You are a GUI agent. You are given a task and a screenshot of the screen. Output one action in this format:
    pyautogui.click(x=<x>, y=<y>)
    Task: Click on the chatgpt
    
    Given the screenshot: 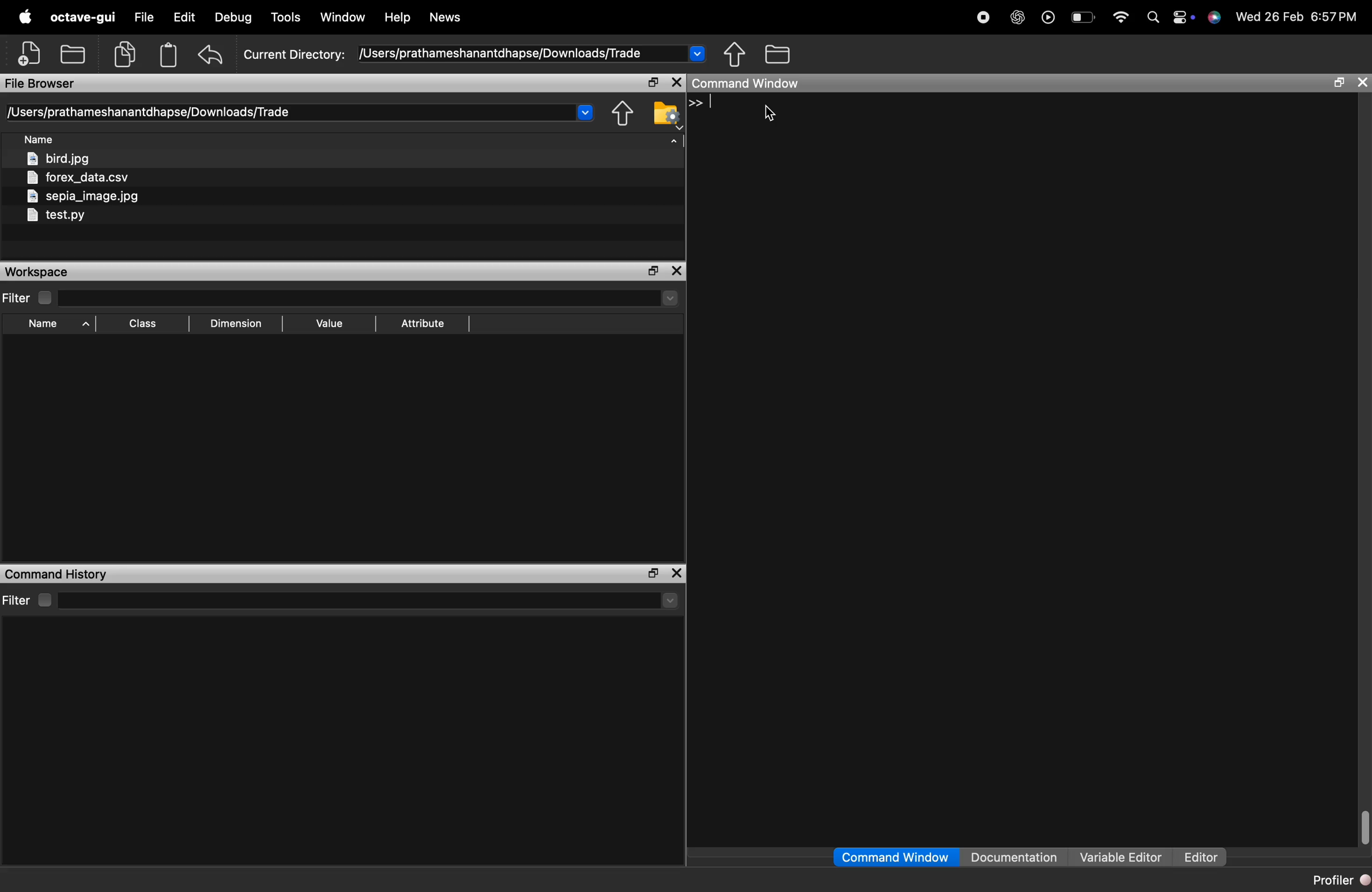 What is the action you would take?
    pyautogui.click(x=1019, y=17)
    